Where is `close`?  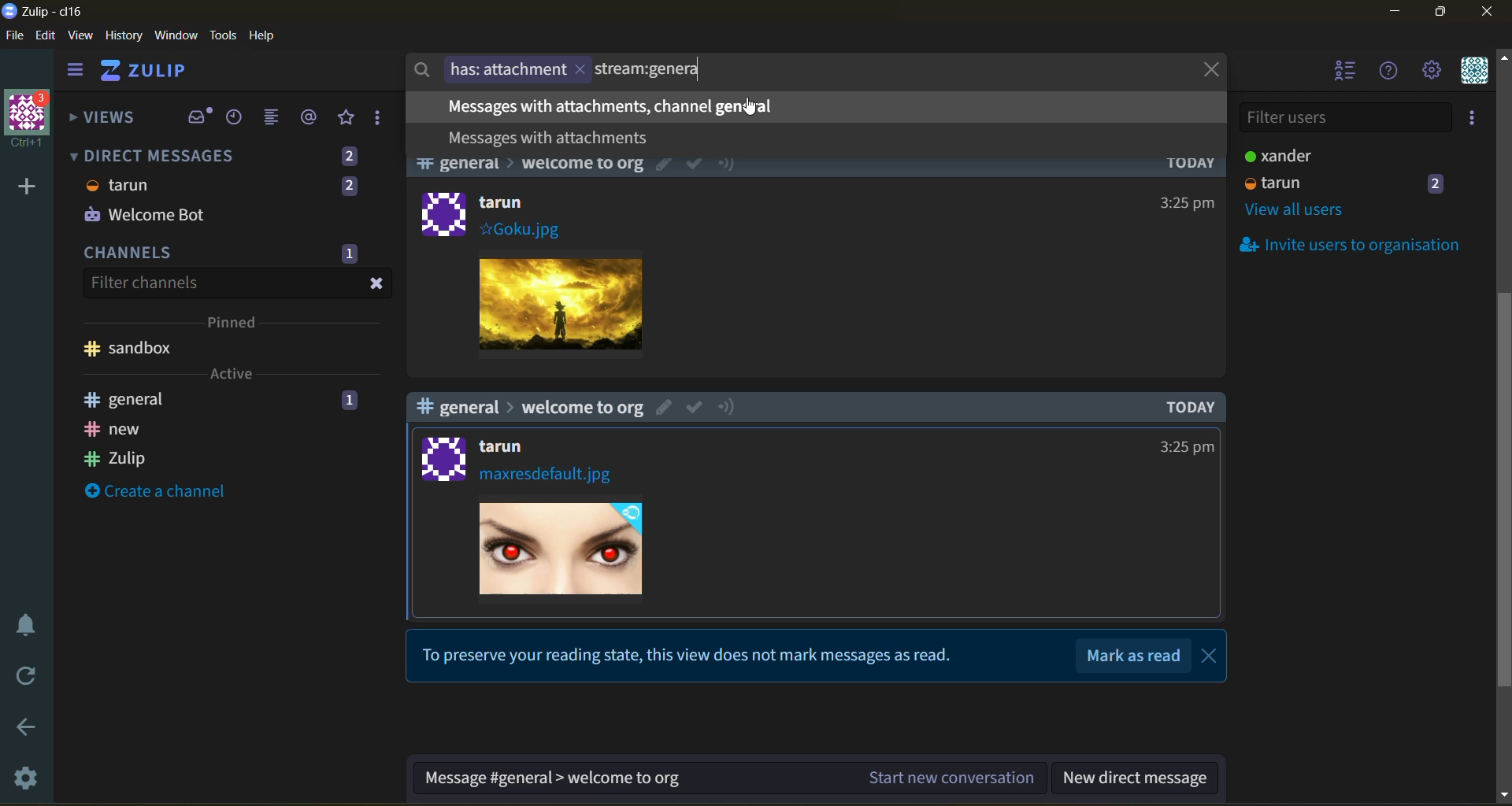
close is located at coordinates (1489, 12).